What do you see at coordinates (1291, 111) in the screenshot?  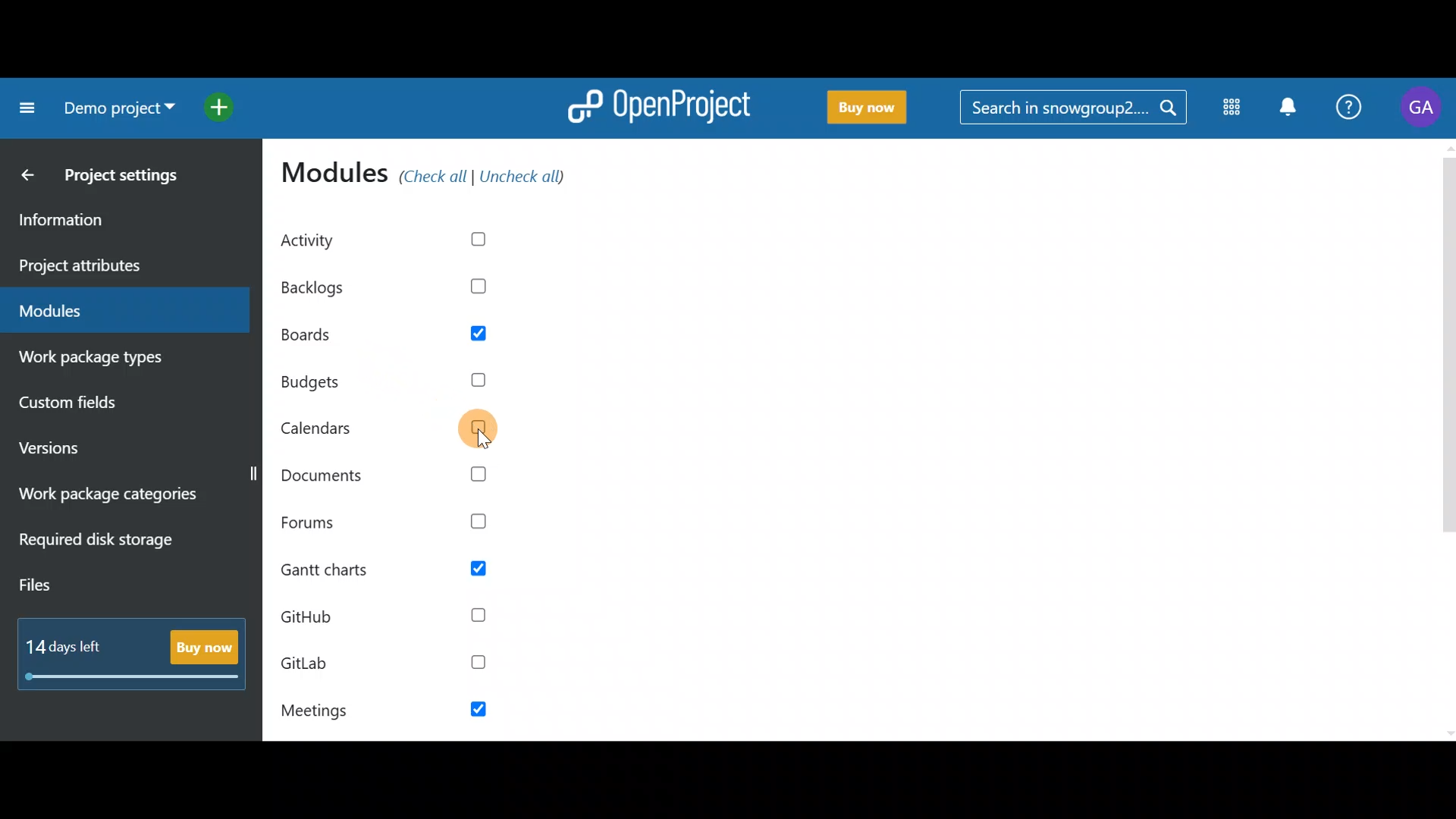 I see `Notification centre` at bounding box center [1291, 111].